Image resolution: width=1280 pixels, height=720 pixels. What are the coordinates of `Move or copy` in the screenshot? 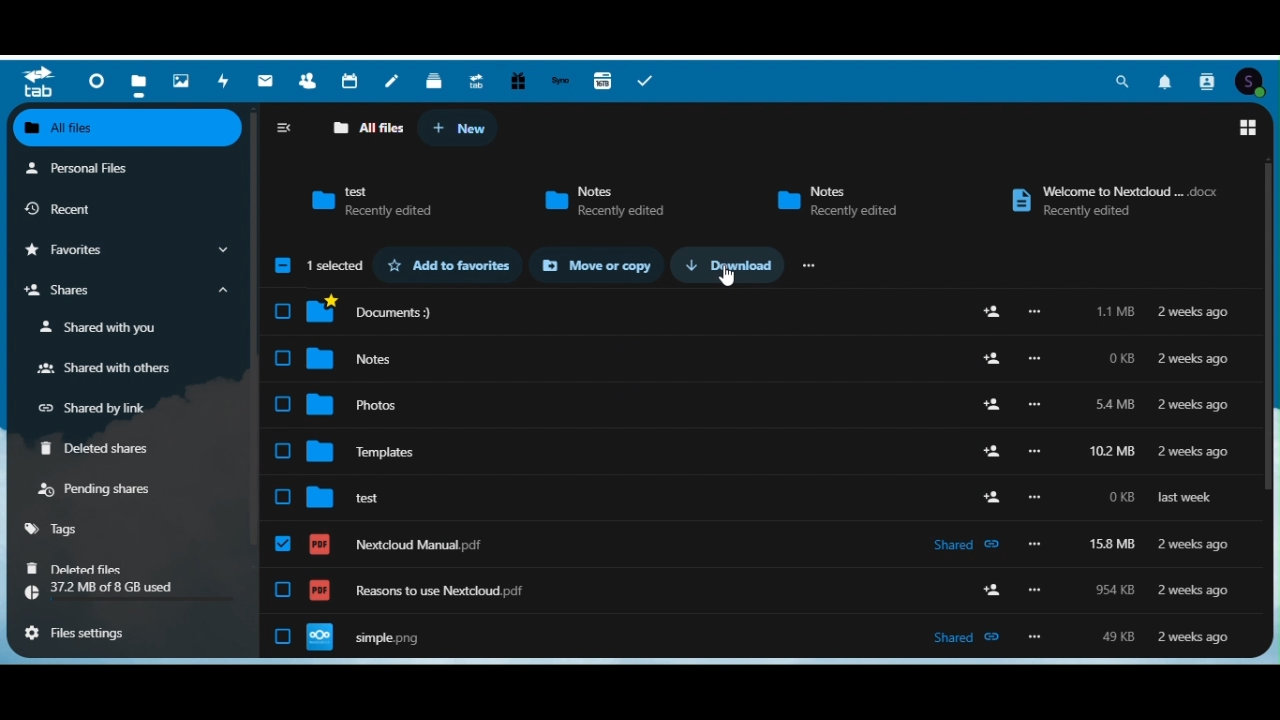 It's located at (601, 266).